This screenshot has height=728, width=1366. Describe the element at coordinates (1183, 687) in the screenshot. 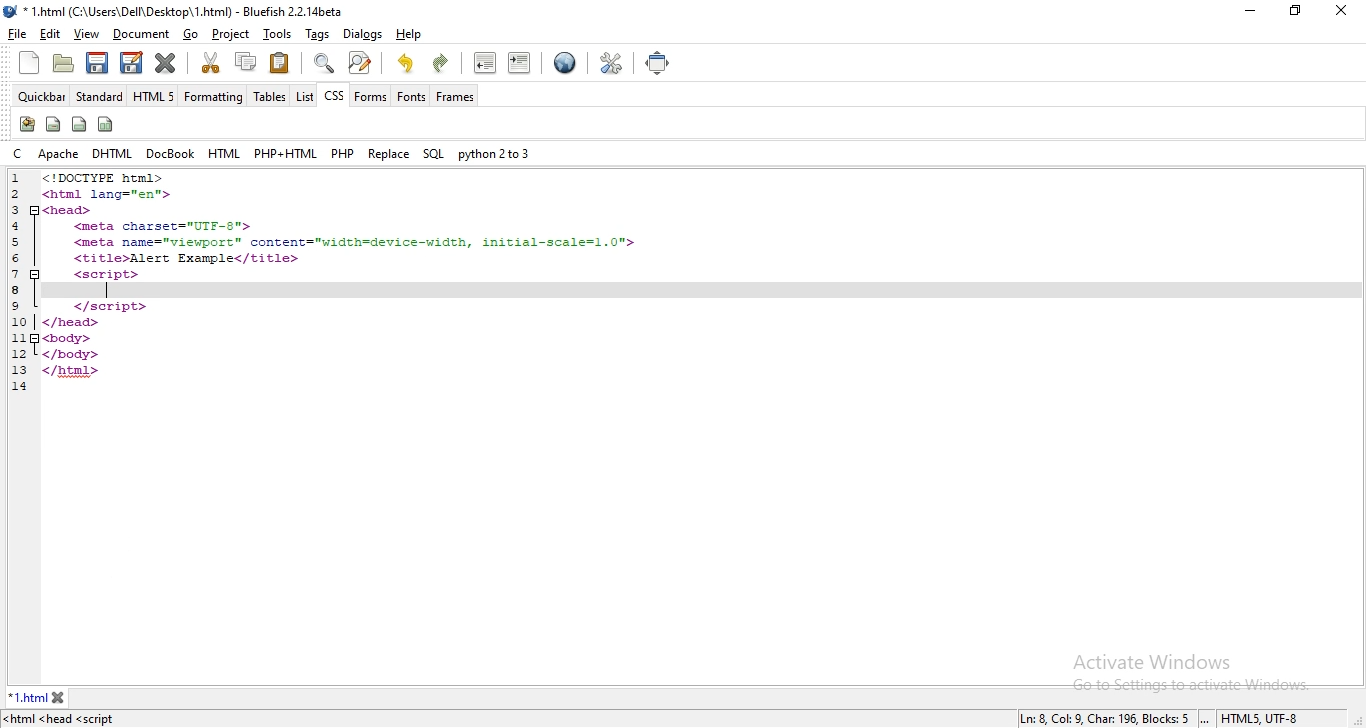

I see `go to settings to activate  windows` at that location.